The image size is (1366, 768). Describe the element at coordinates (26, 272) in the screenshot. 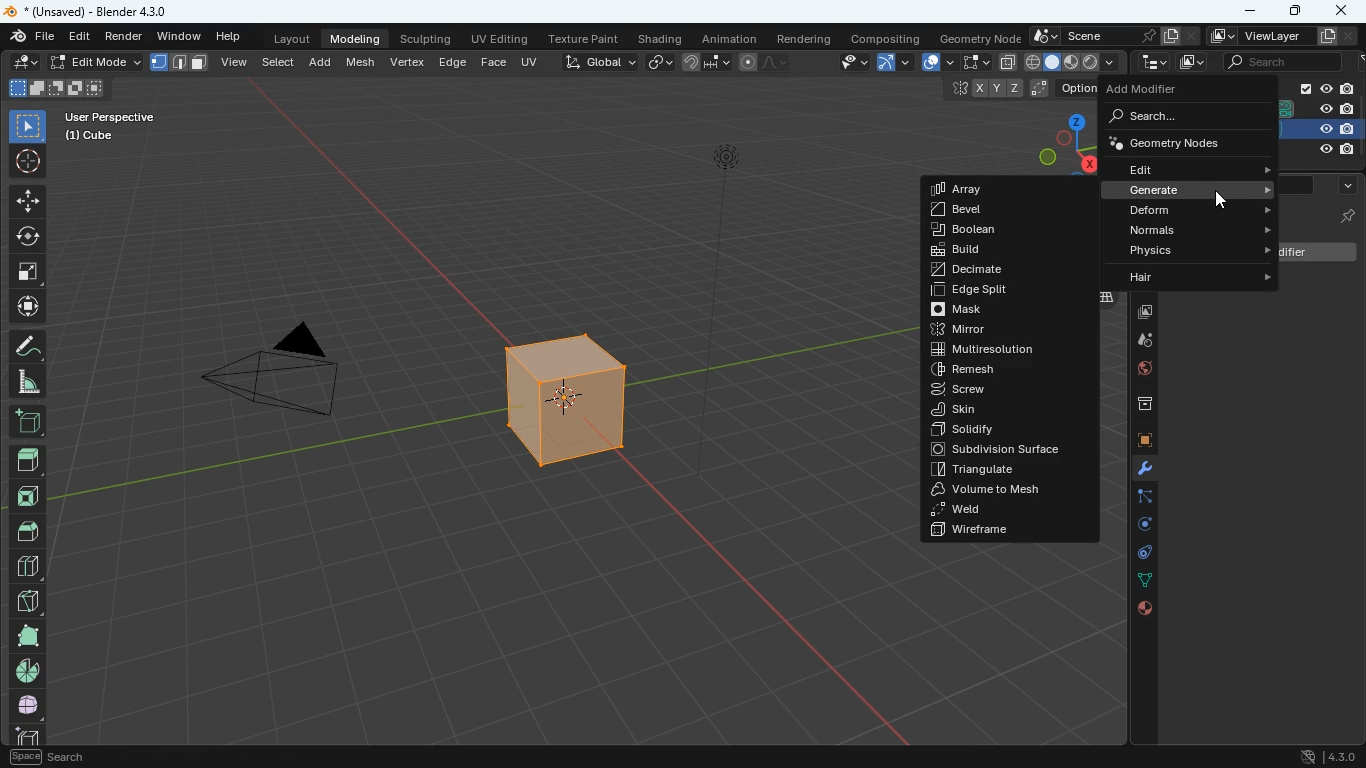

I see `fullscreen` at that location.